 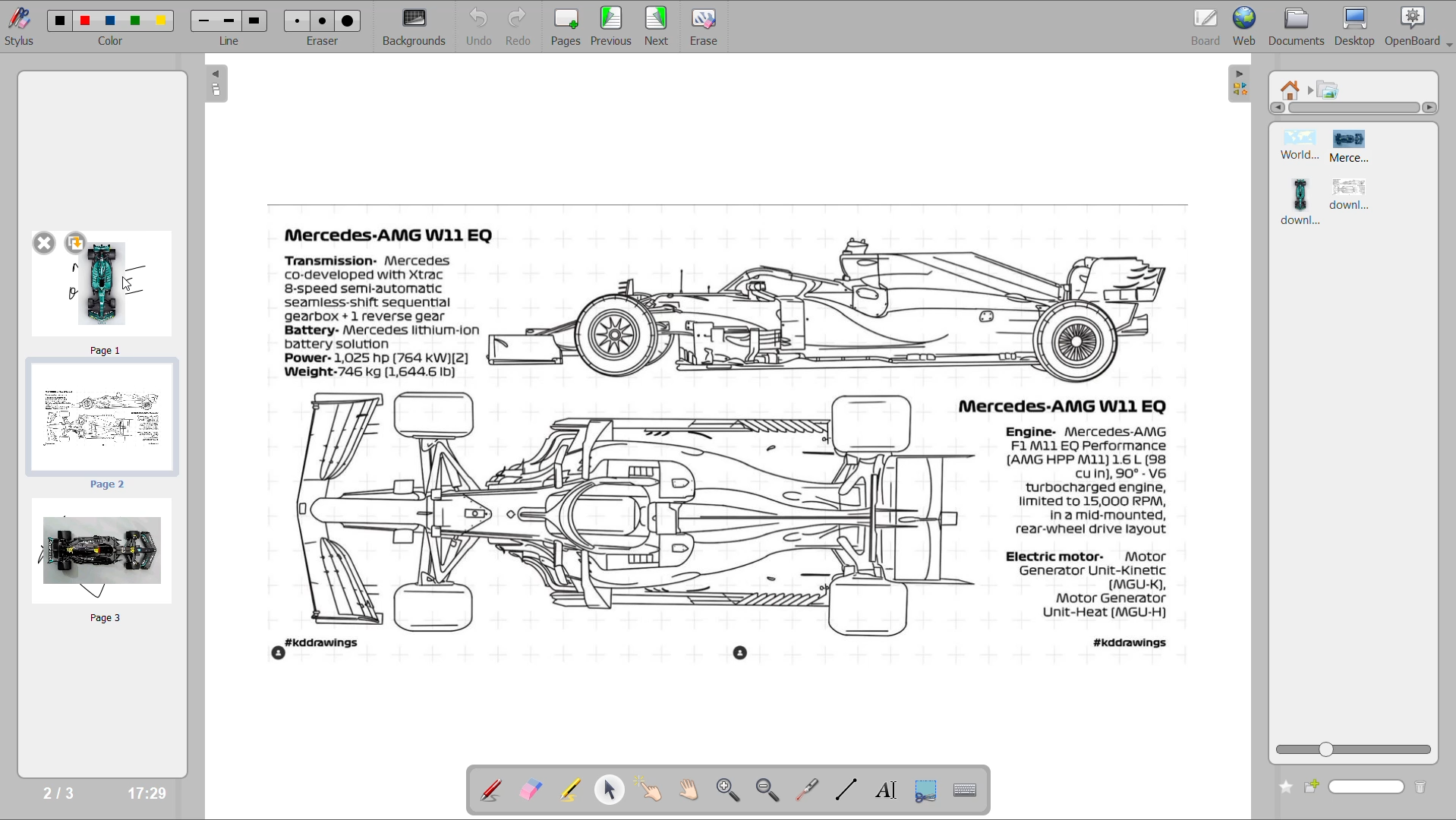 I want to click on Small line, so click(x=205, y=19).